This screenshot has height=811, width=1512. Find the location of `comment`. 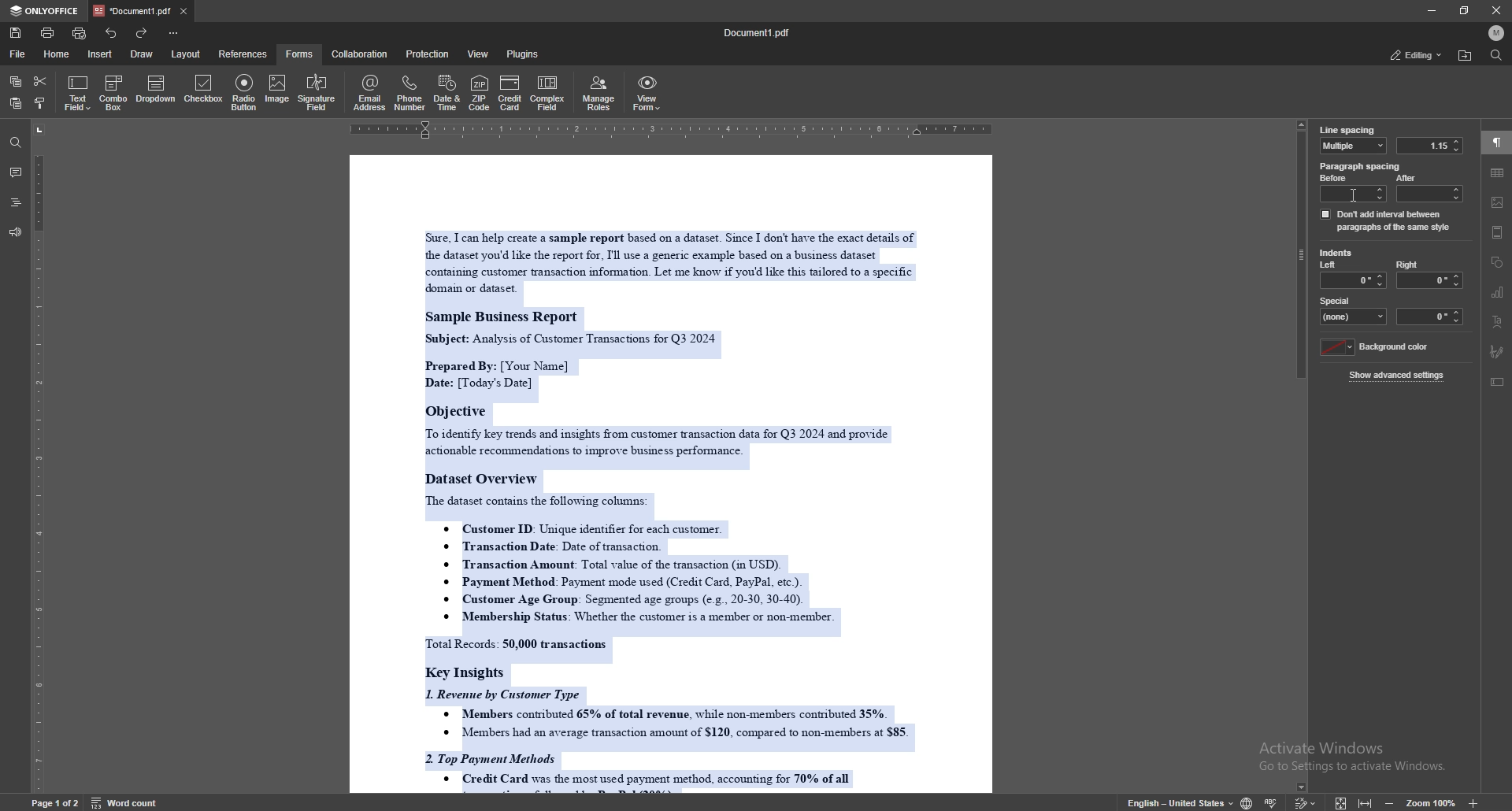

comment is located at coordinates (15, 172).